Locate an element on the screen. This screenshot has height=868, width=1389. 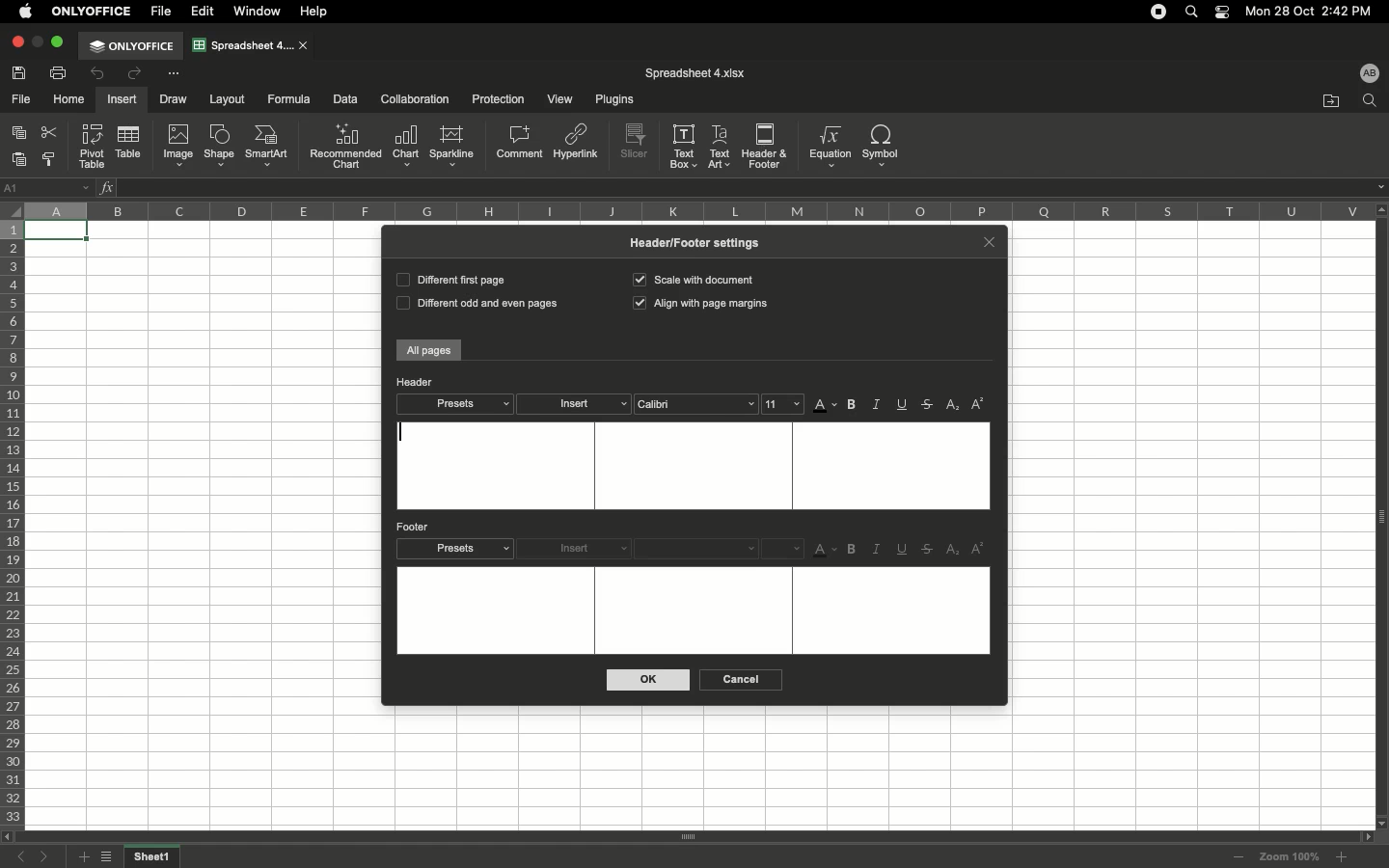
Close is located at coordinates (16, 42).